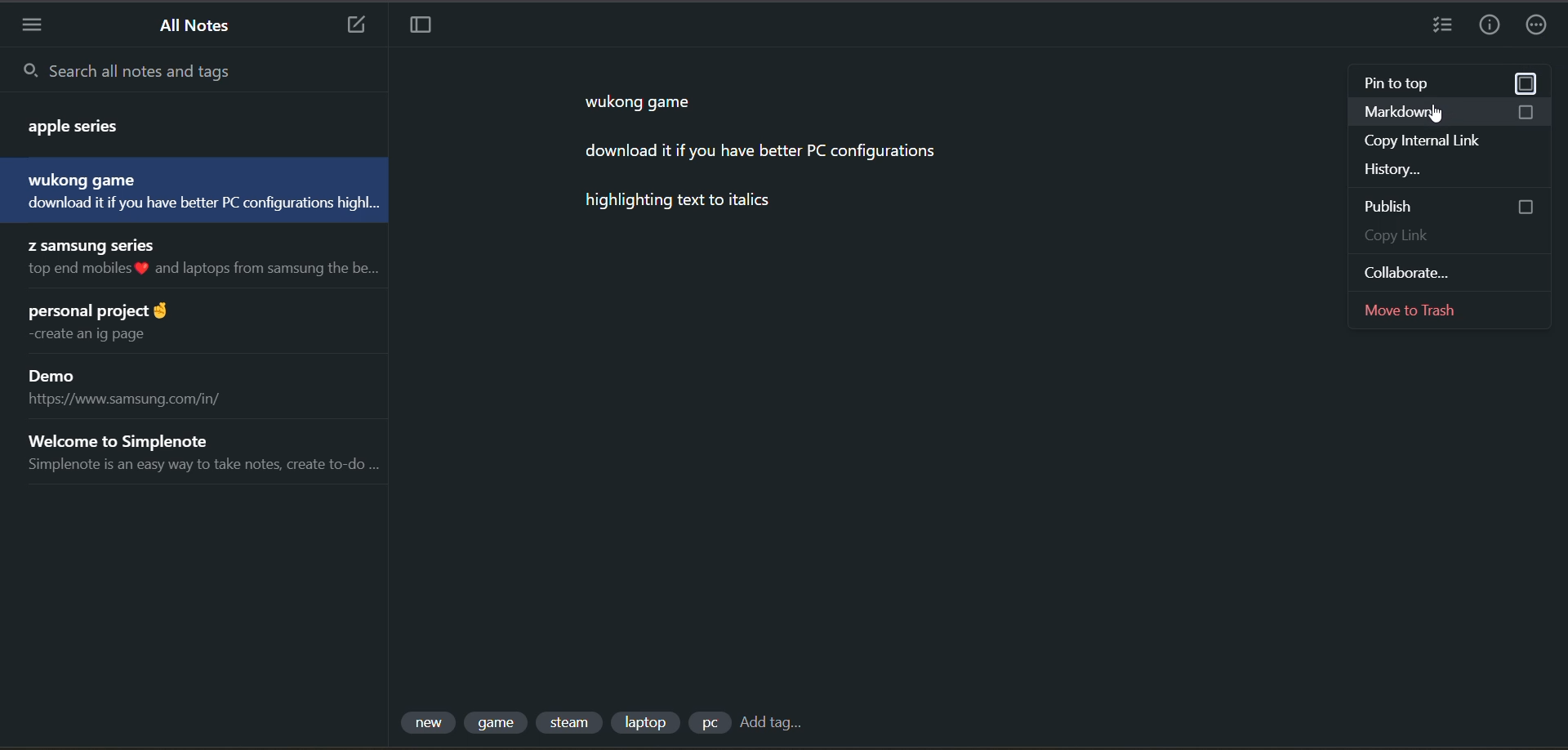  I want to click on note title and preview, so click(180, 122).